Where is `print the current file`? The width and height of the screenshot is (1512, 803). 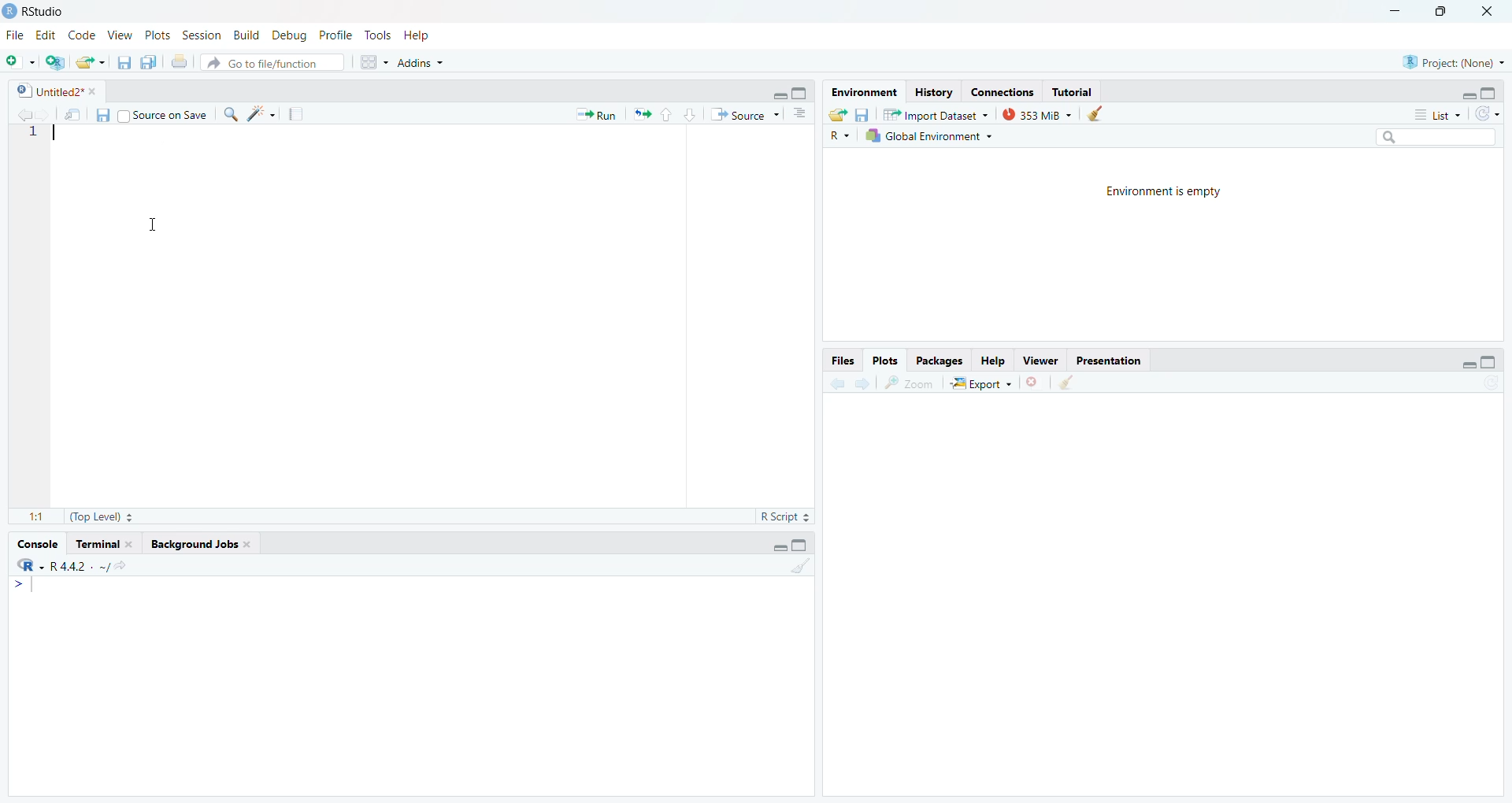 print the current file is located at coordinates (179, 65).